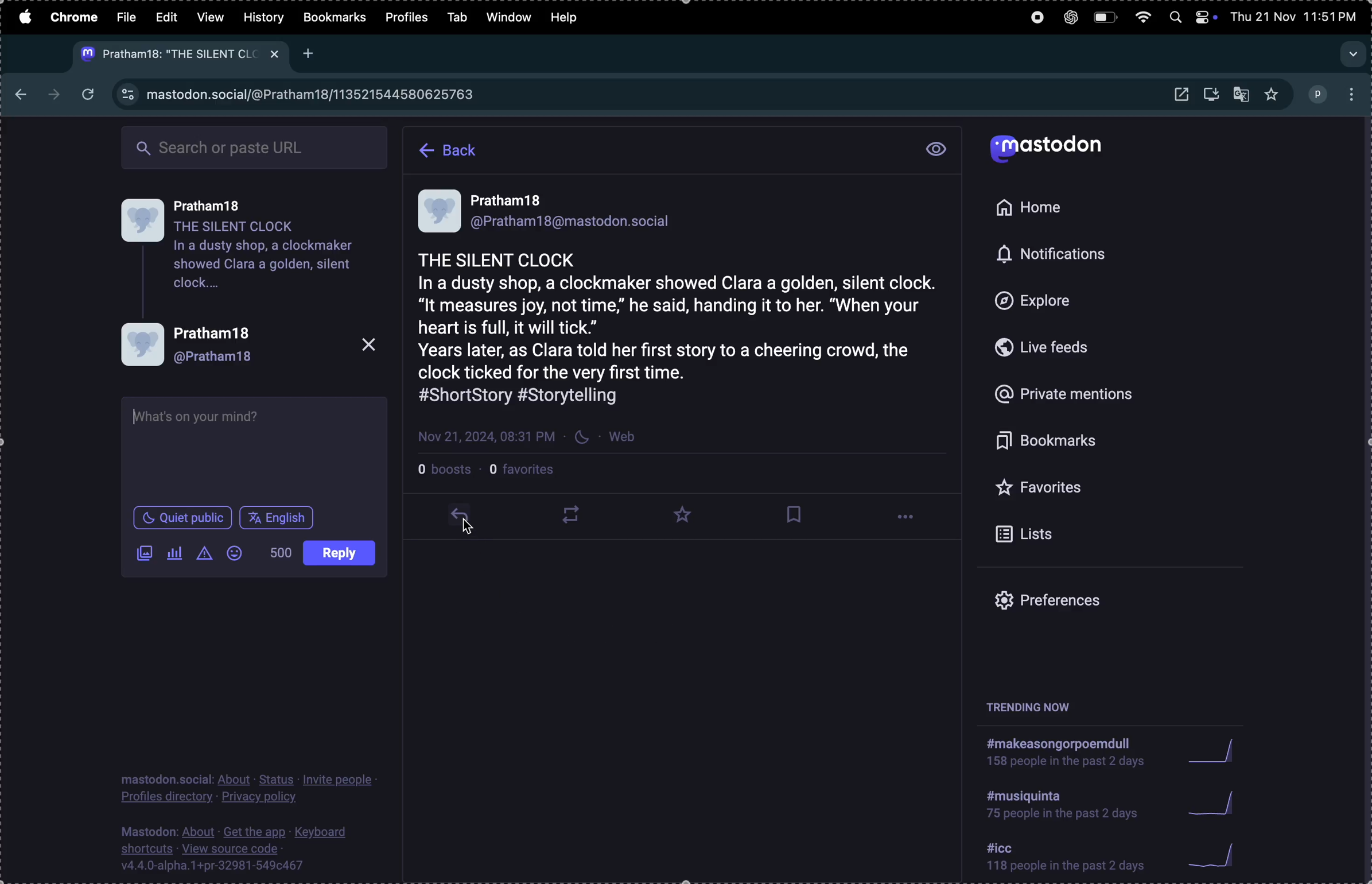 The height and width of the screenshot is (884, 1372). Describe the element at coordinates (528, 474) in the screenshot. I see `favourites` at that location.